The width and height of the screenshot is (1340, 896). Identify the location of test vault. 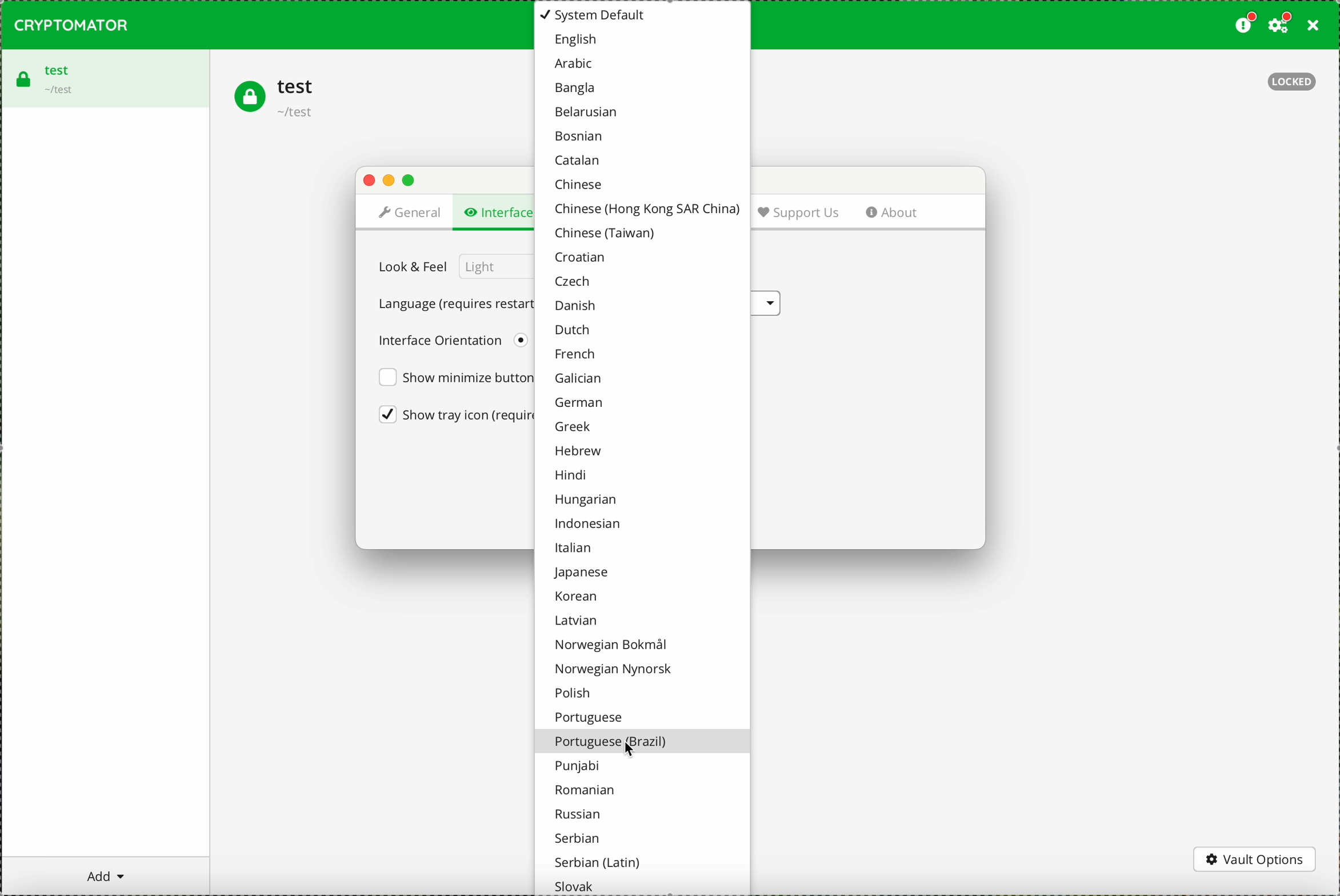
(275, 98).